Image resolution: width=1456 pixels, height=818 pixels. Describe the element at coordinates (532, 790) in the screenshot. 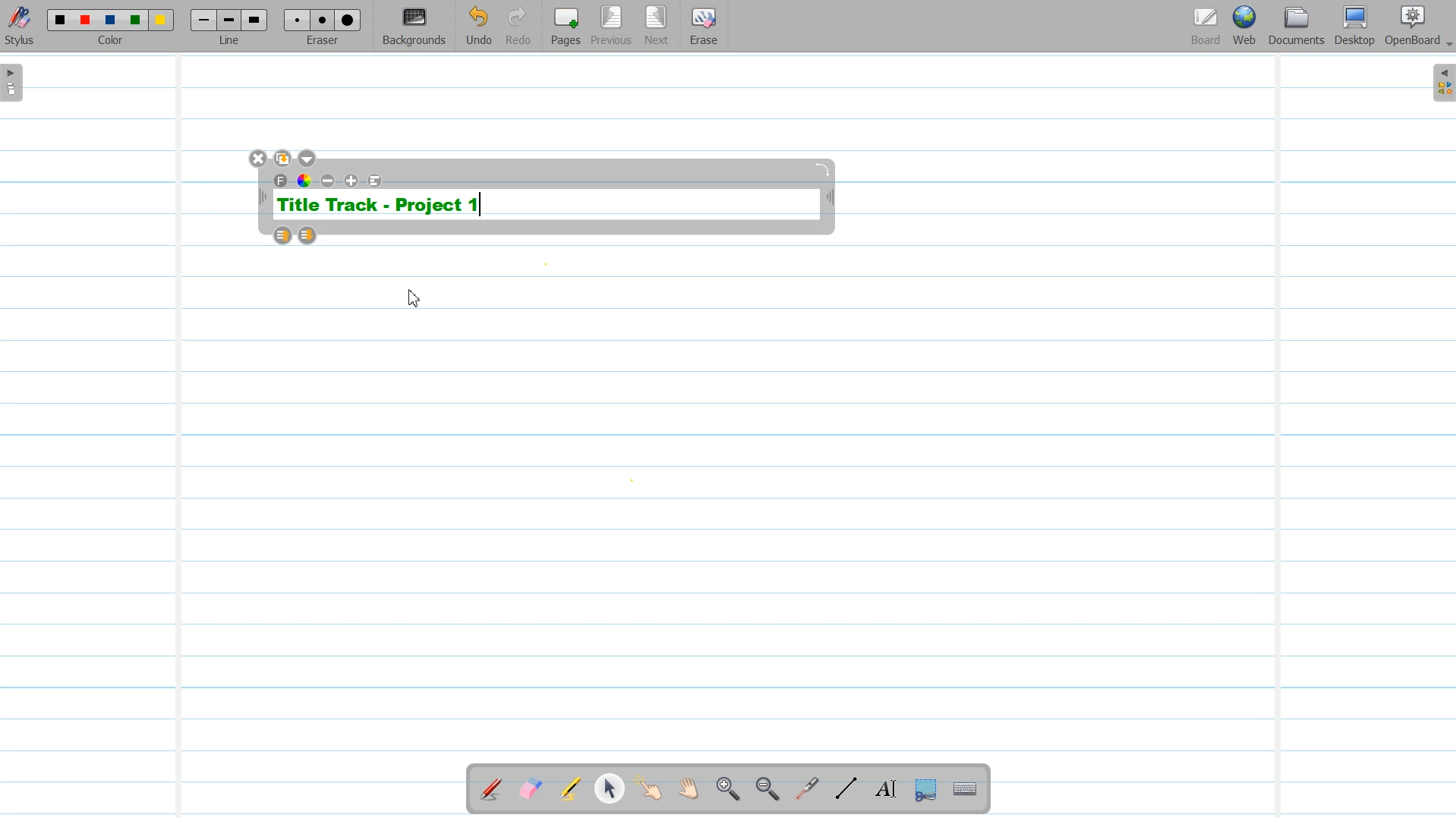

I see `Erase Annotation` at that location.